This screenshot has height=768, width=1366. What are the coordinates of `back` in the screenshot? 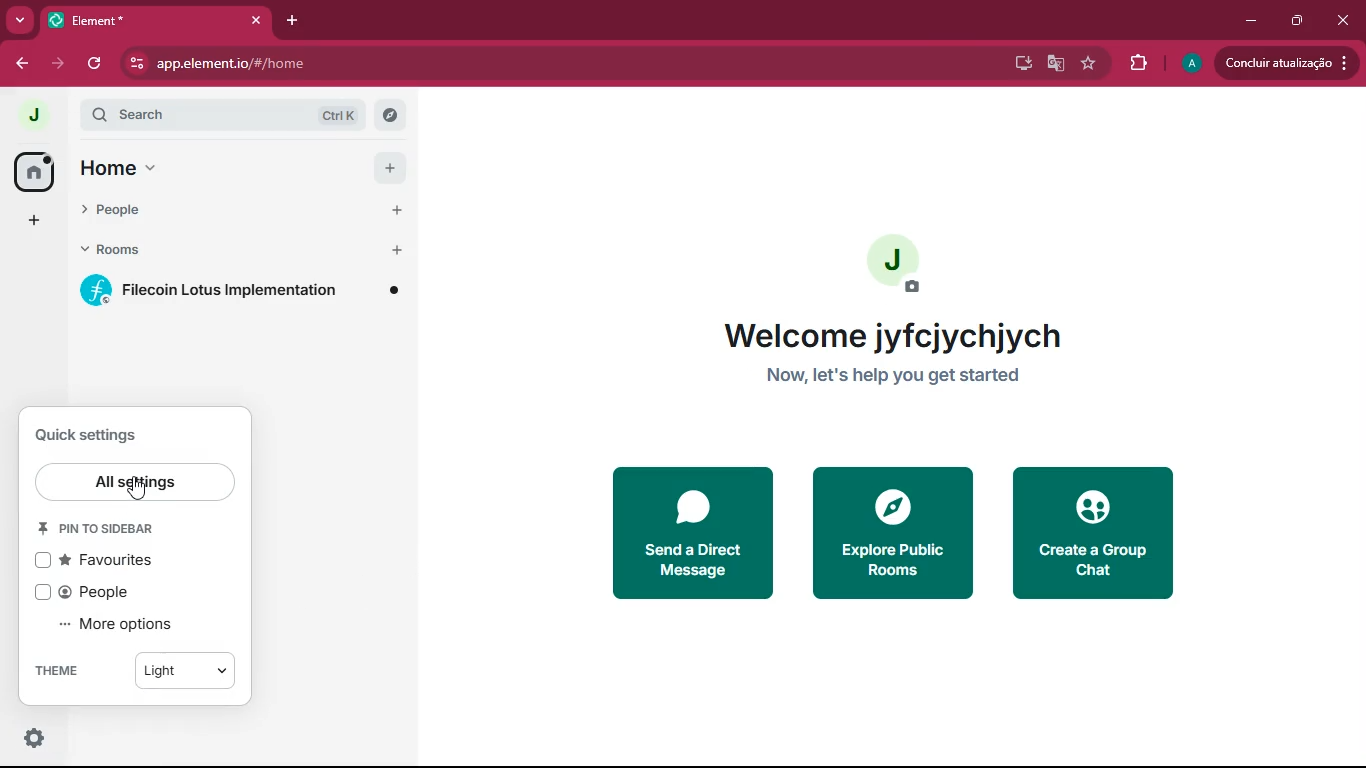 It's located at (17, 63).